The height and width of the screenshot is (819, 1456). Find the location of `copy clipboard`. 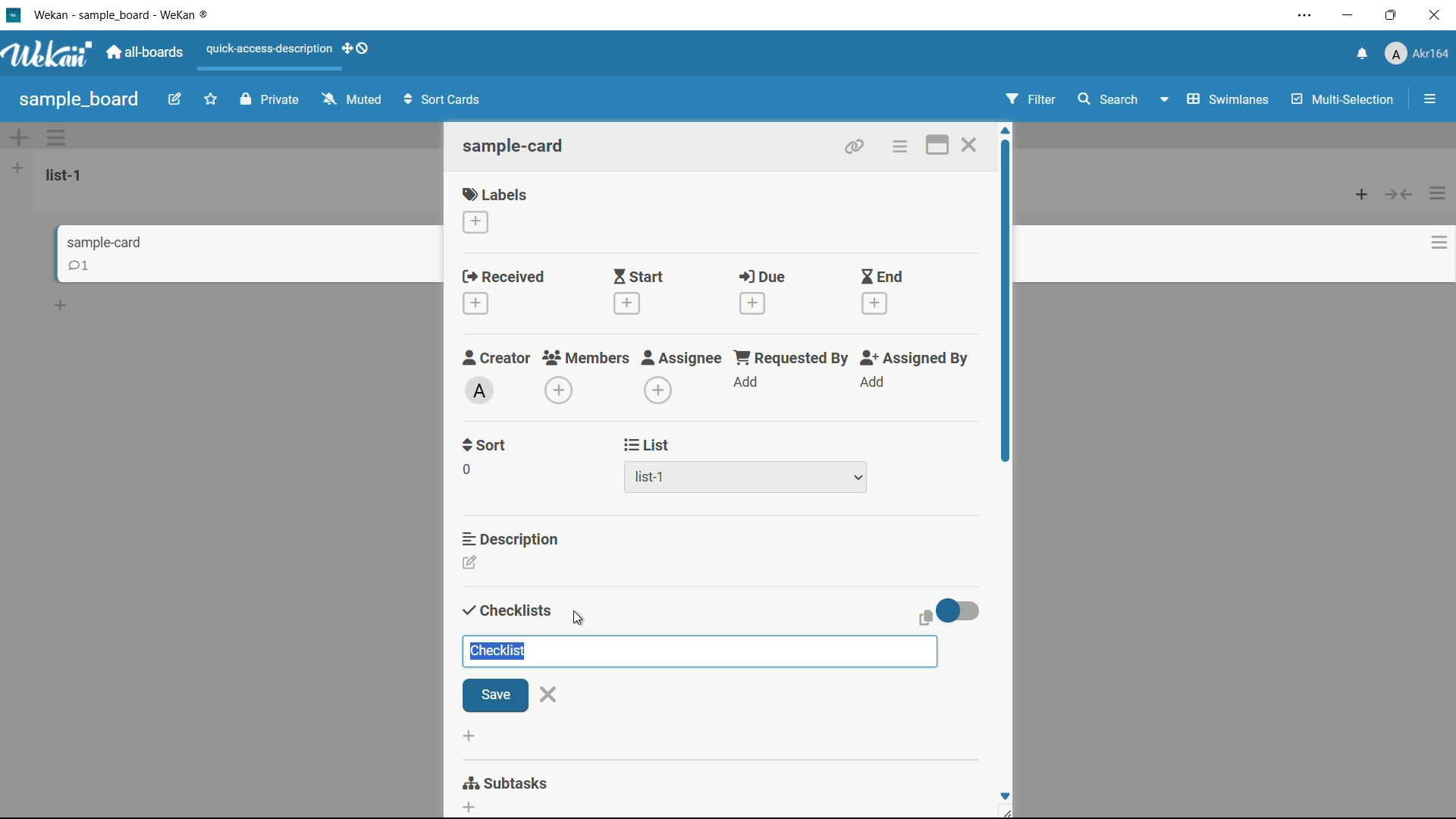

copy clipboard is located at coordinates (923, 617).